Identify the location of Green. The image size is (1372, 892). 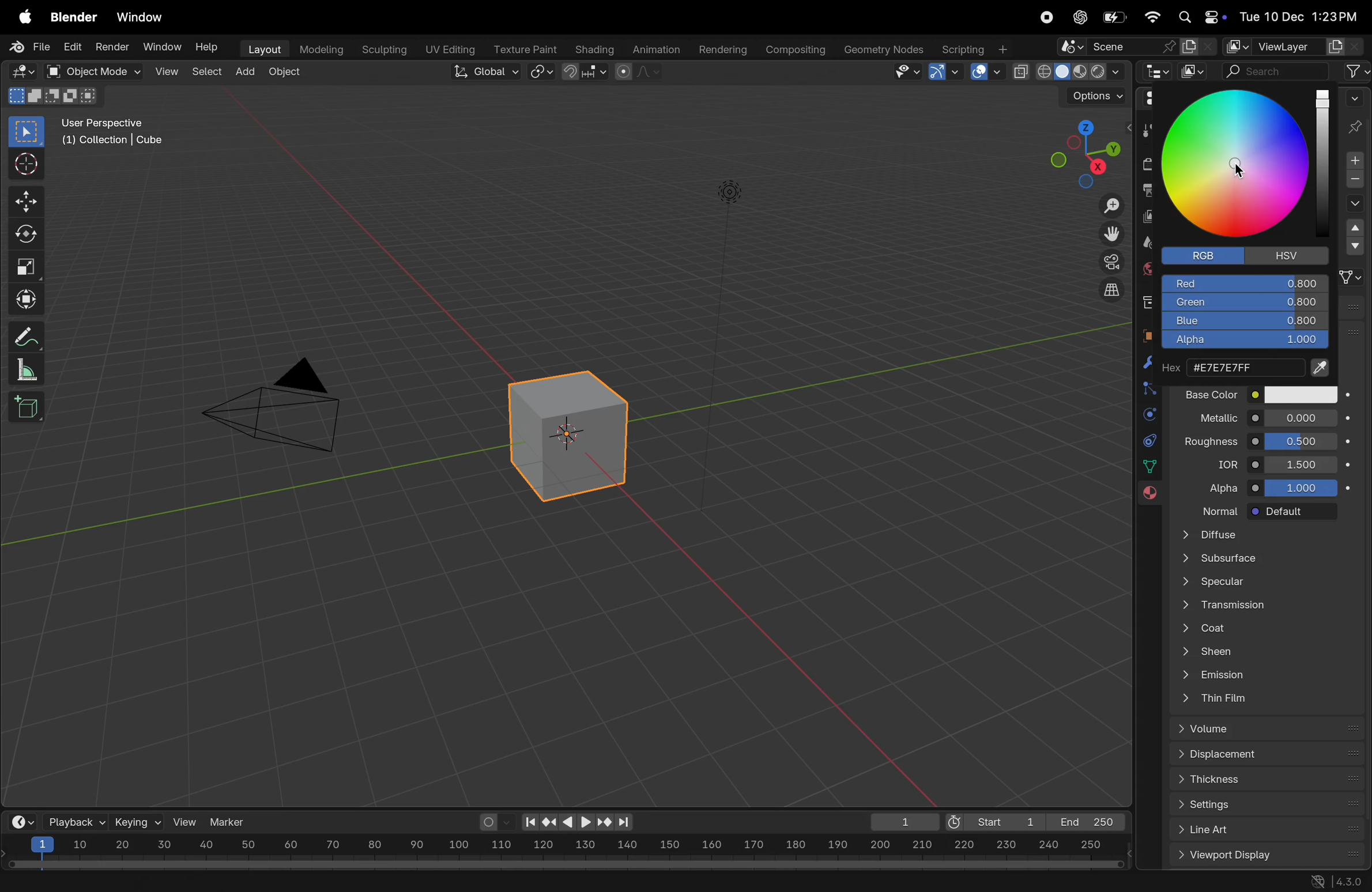
(1245, 303).